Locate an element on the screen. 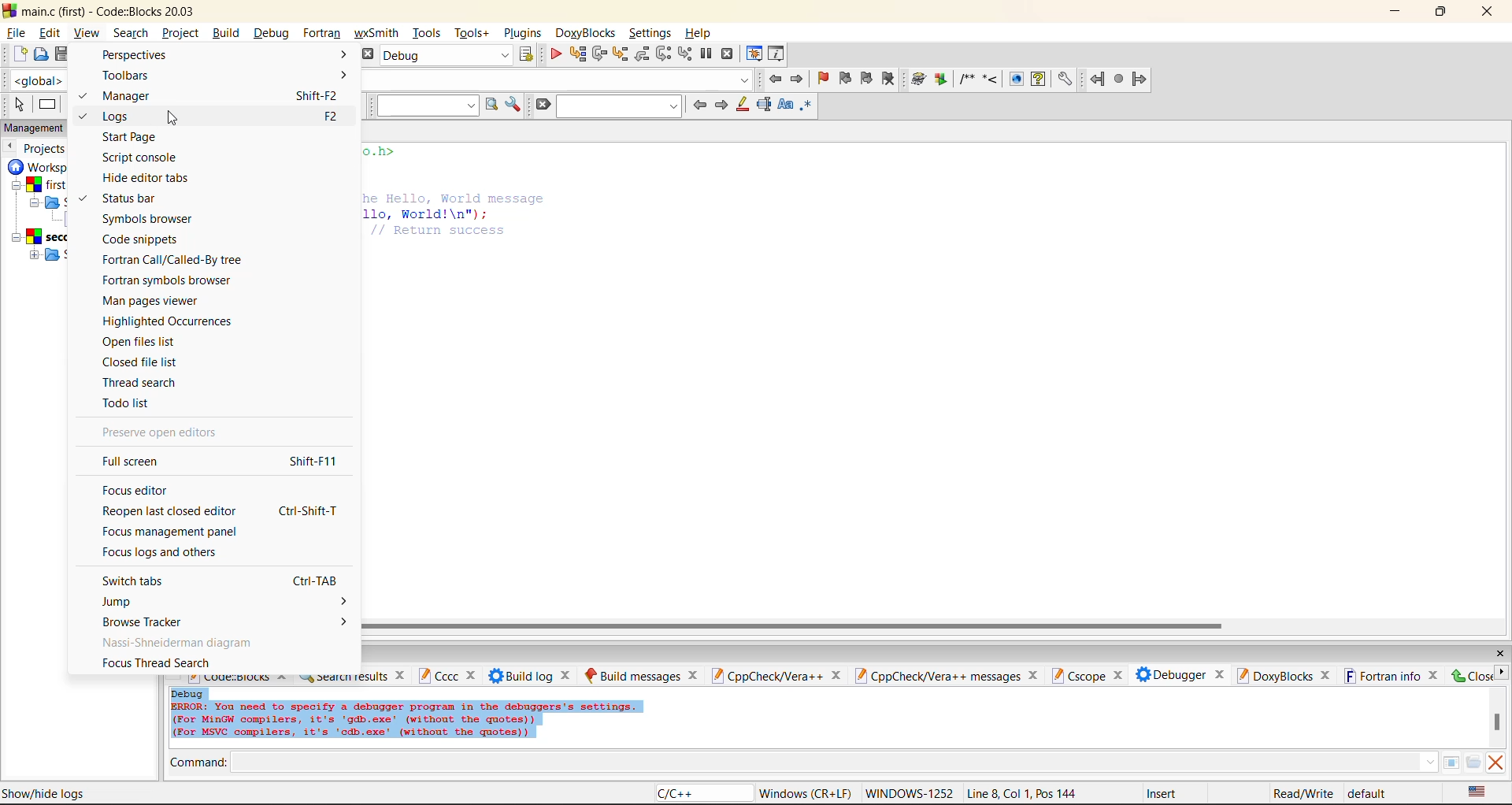 This screenshot has height=805, width=1512. WINDOWS-1252 is located at coordinates (910, 792).